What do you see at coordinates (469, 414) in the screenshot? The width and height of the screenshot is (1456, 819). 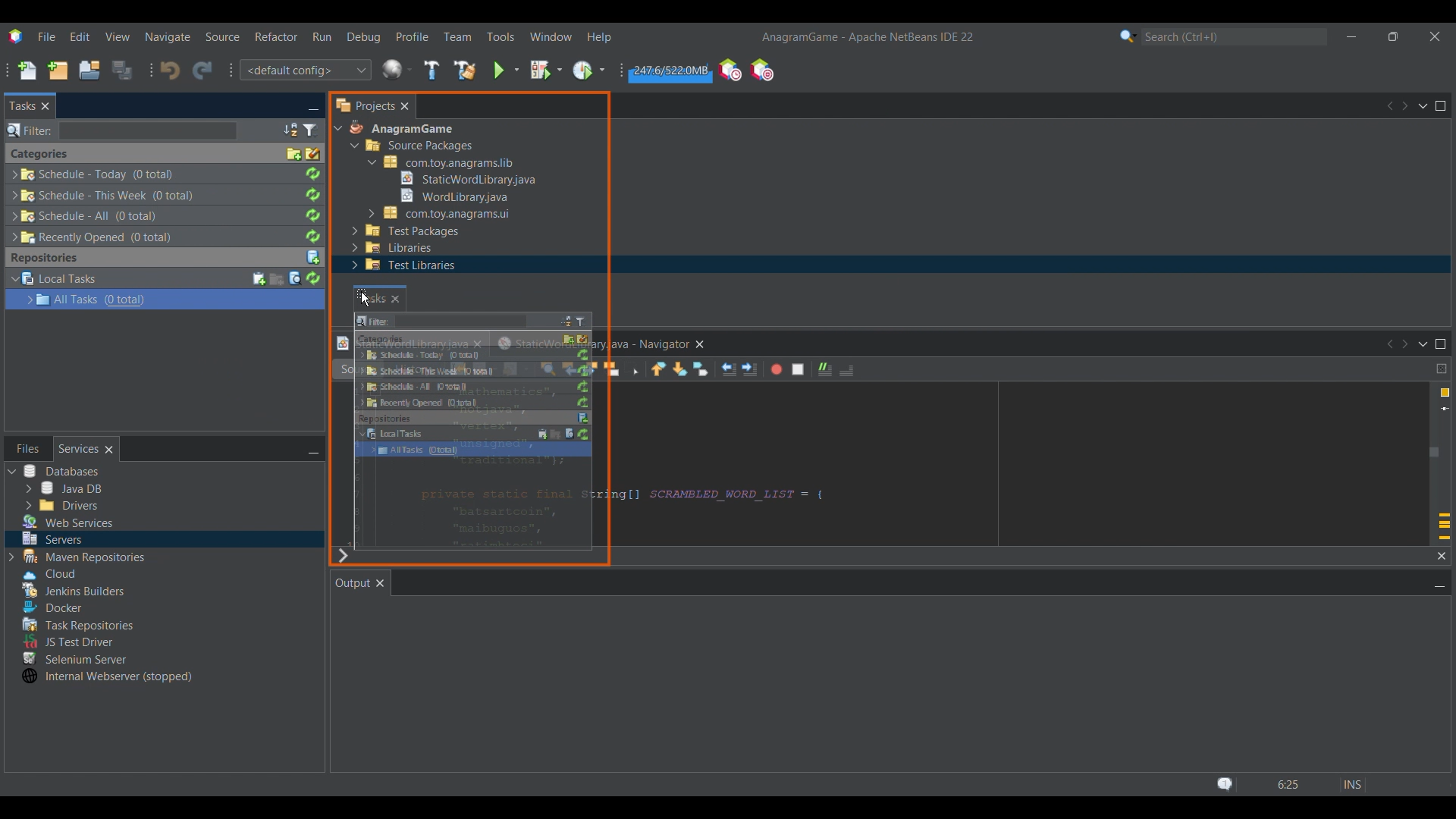 I see `` at bounding box center [469, 414].